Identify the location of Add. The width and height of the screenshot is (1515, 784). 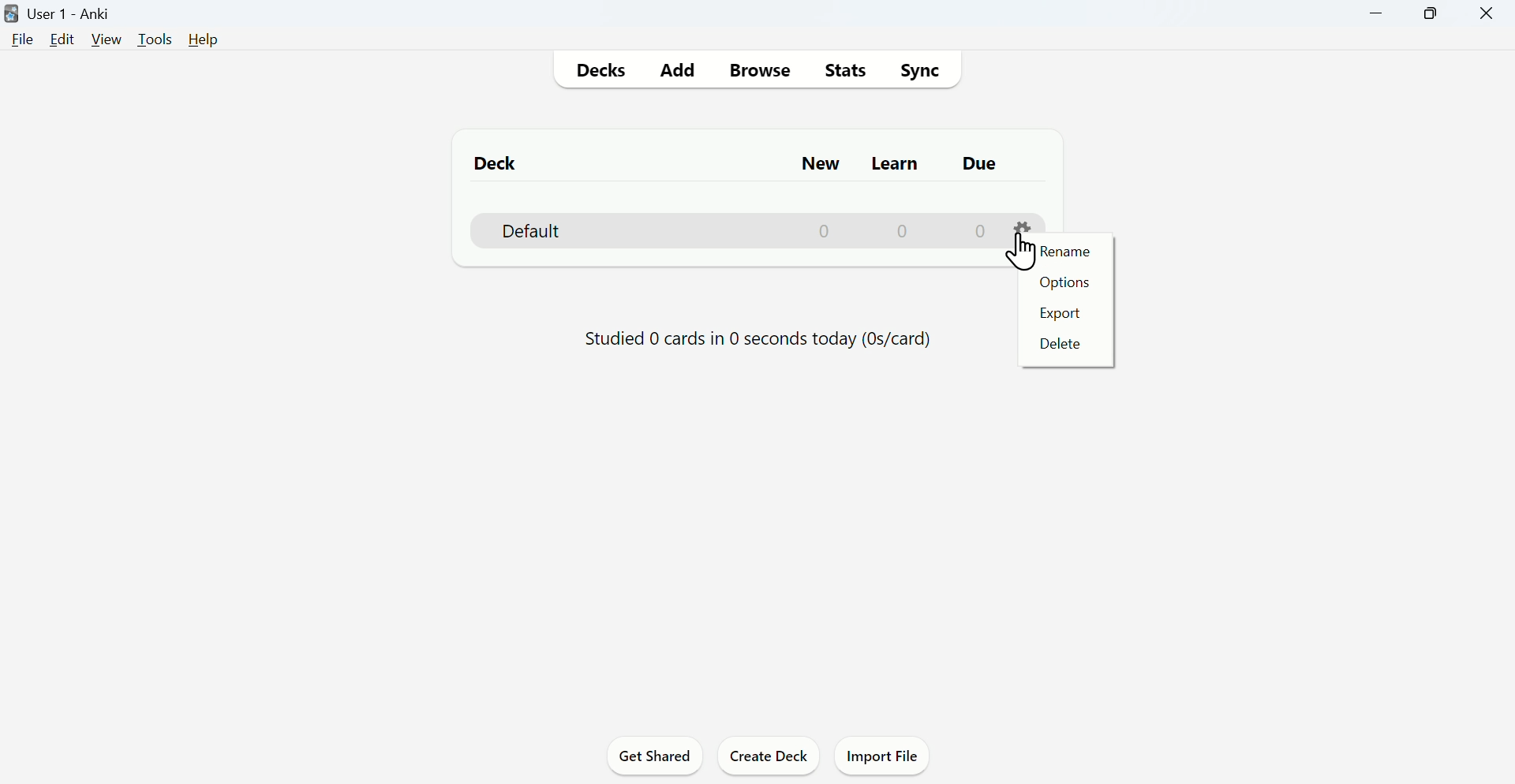
(678, 71).